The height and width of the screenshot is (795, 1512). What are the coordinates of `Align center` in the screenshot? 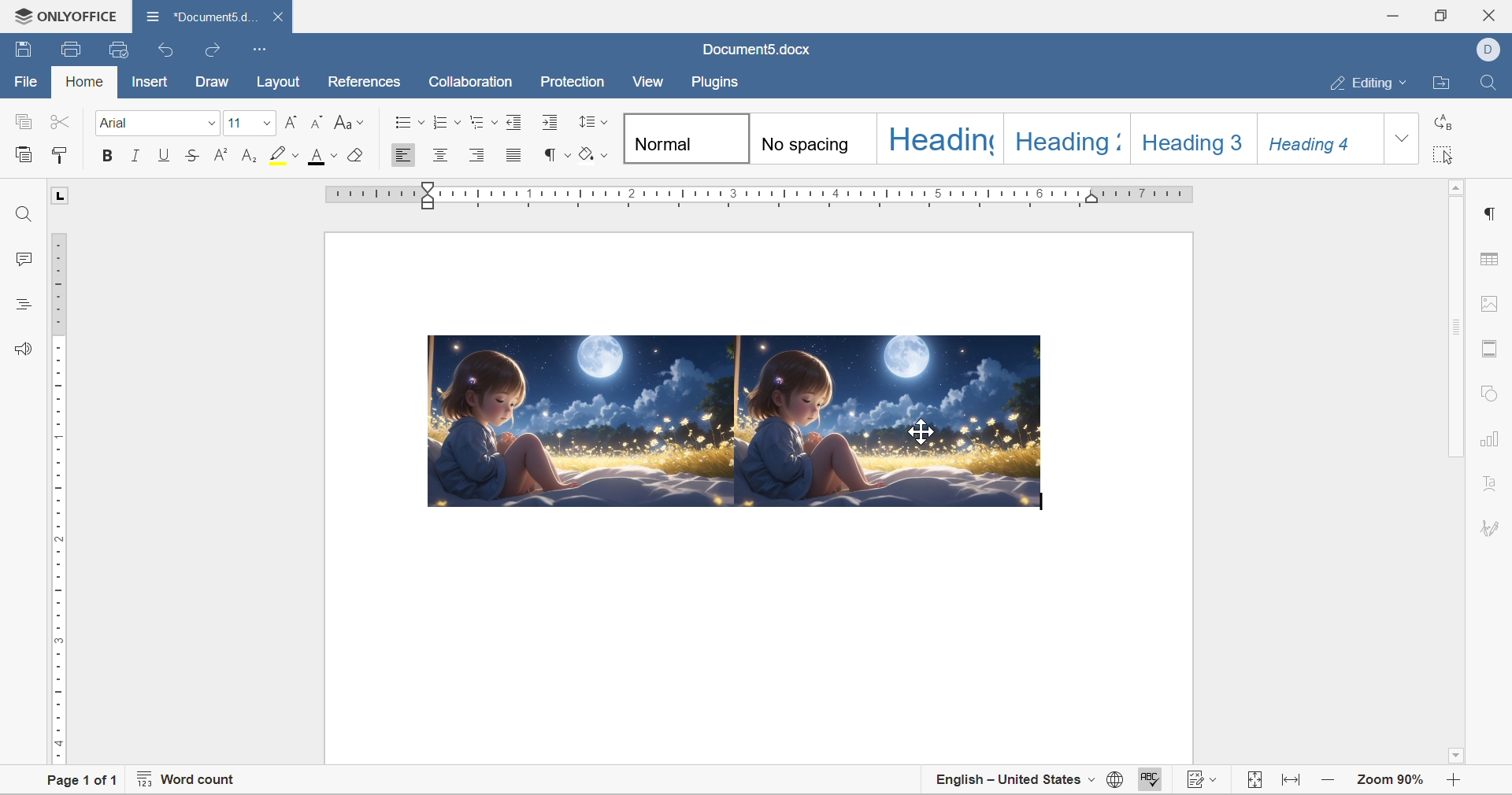 It's located at (443, 154).